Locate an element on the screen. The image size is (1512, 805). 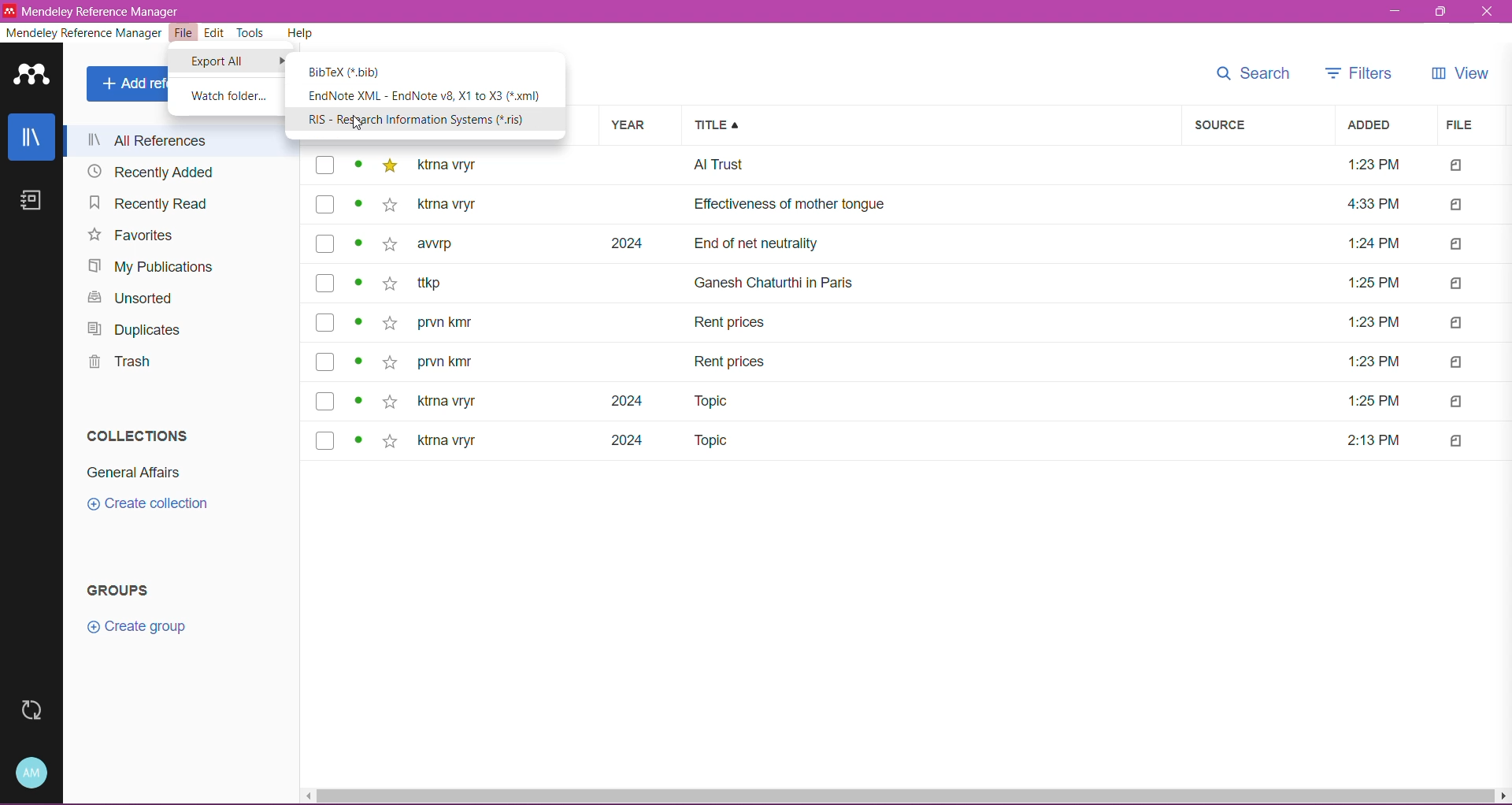
Click to Create Collection is located at coordinates (149, 506).